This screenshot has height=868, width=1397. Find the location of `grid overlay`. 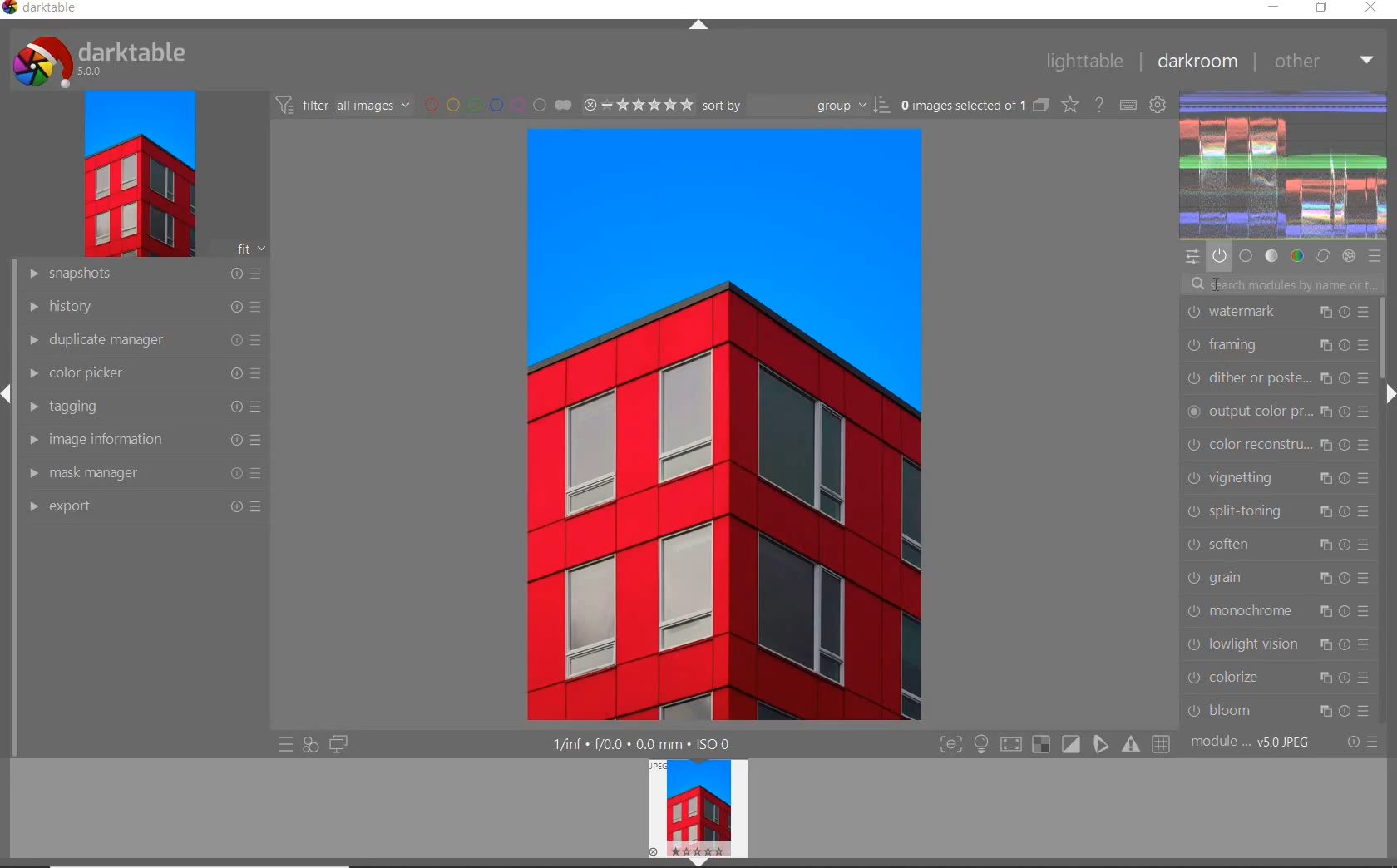

grid overlay is located at coordinates (1162, 742).